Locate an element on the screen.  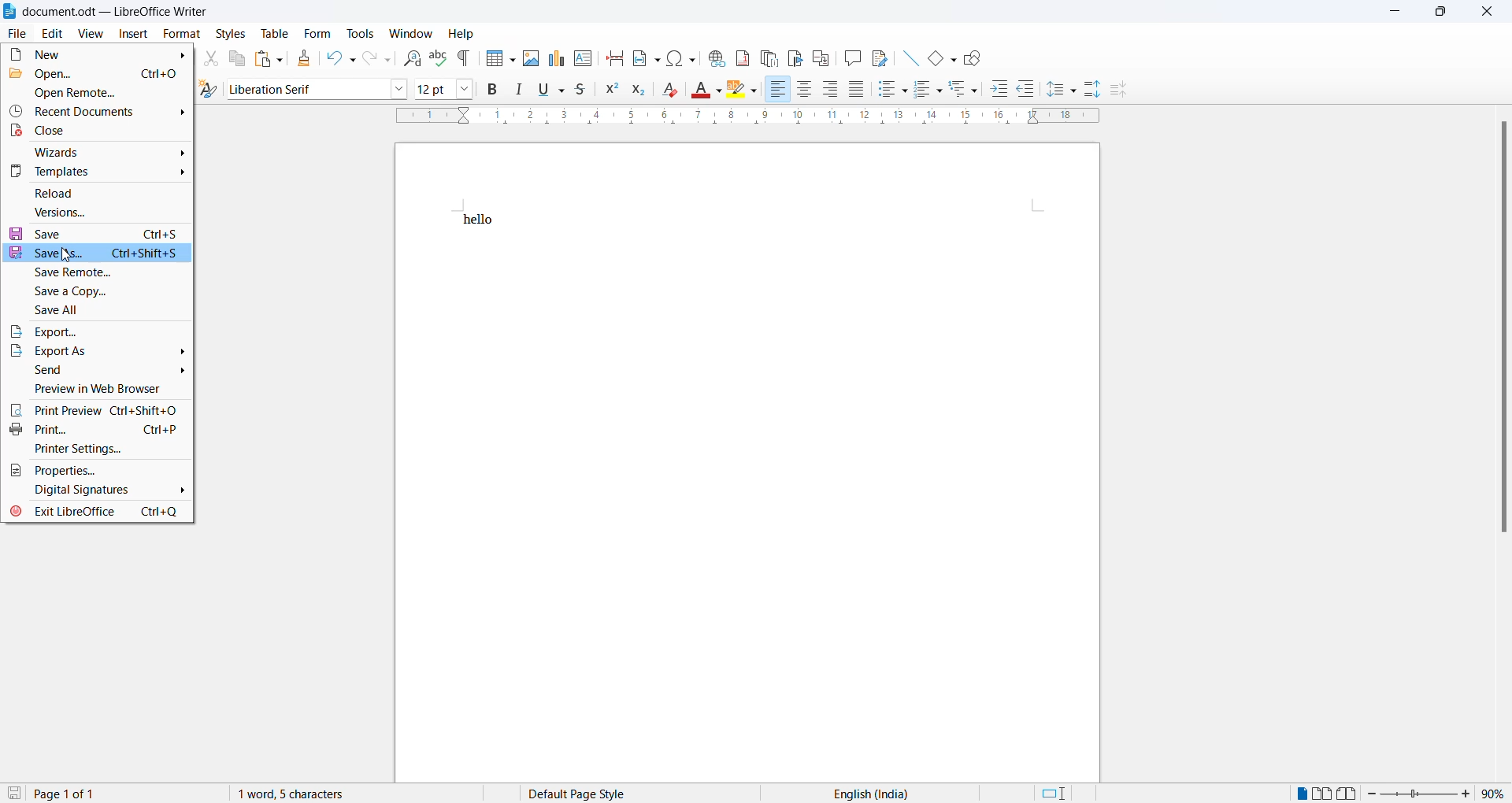
Insert rectangle is located at coordinates (942, 60).